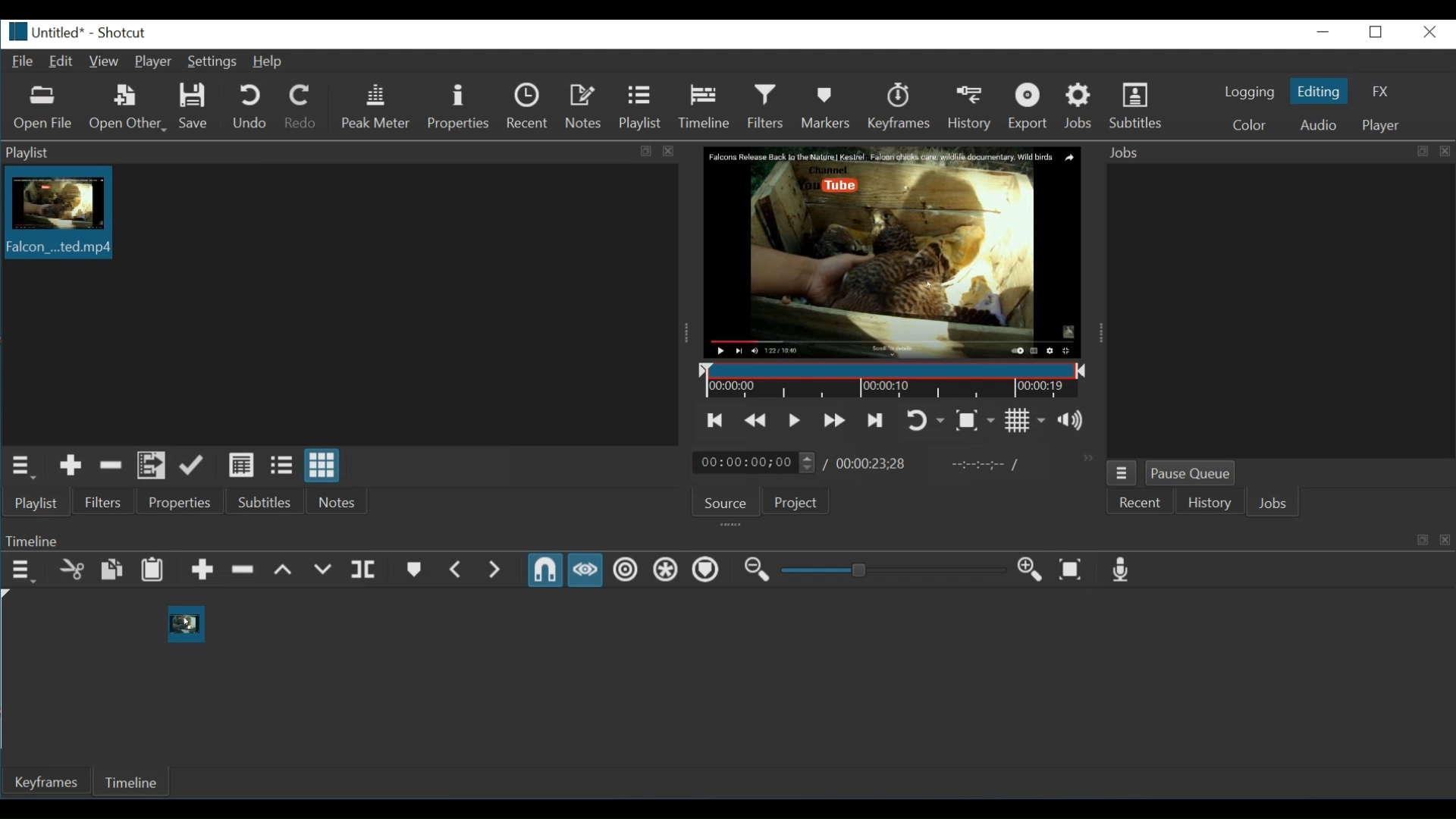  I want to click on Jobs, so click(1272, 504).